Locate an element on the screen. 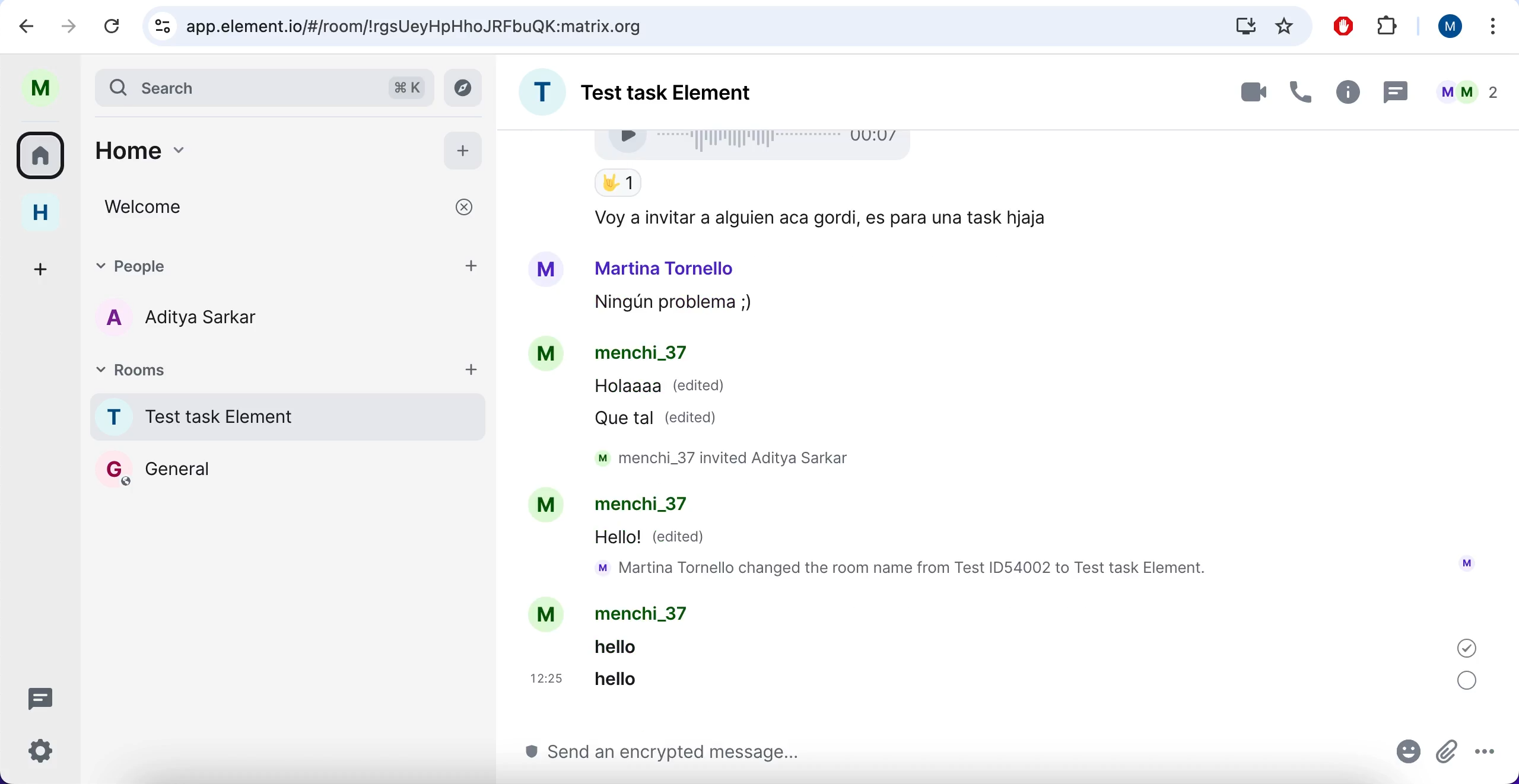 This screenshot has width=1519, height=784. google search bar is located at coordinates (669, 27).